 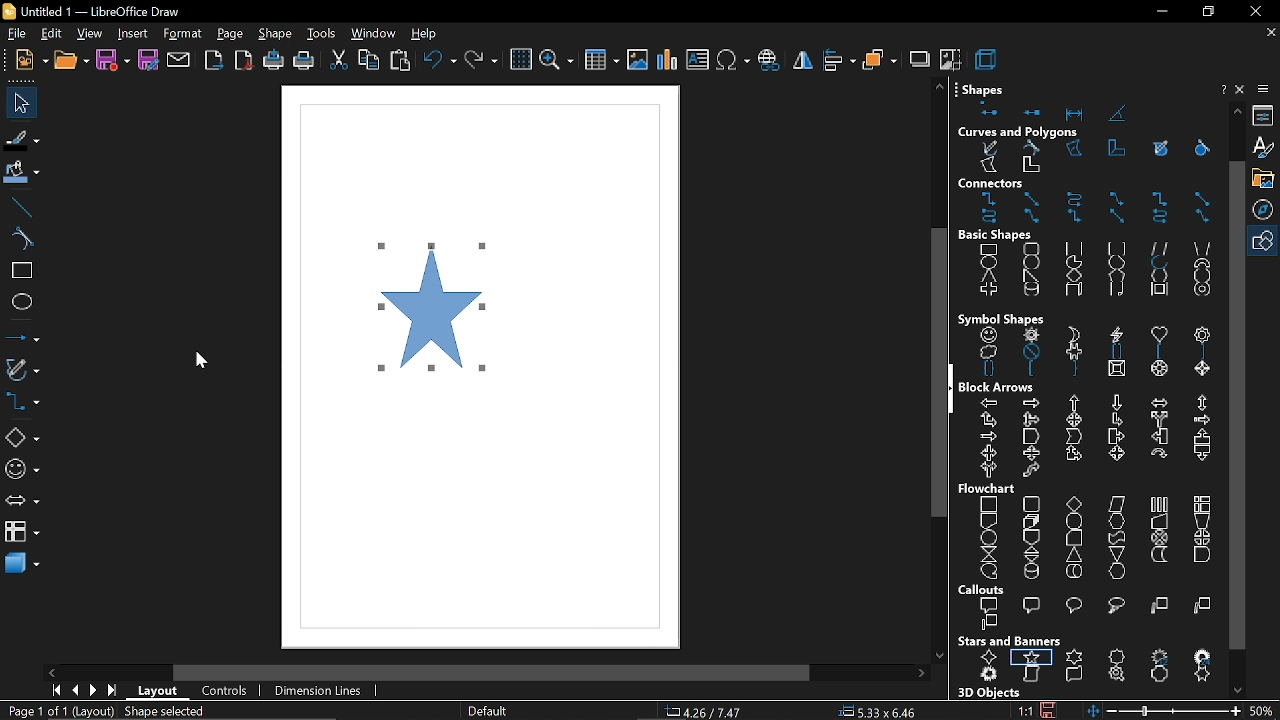 What do you see at coordinates (20, 273) in the screenshot?
I see `rectangle` at bounding box center [20, 273].